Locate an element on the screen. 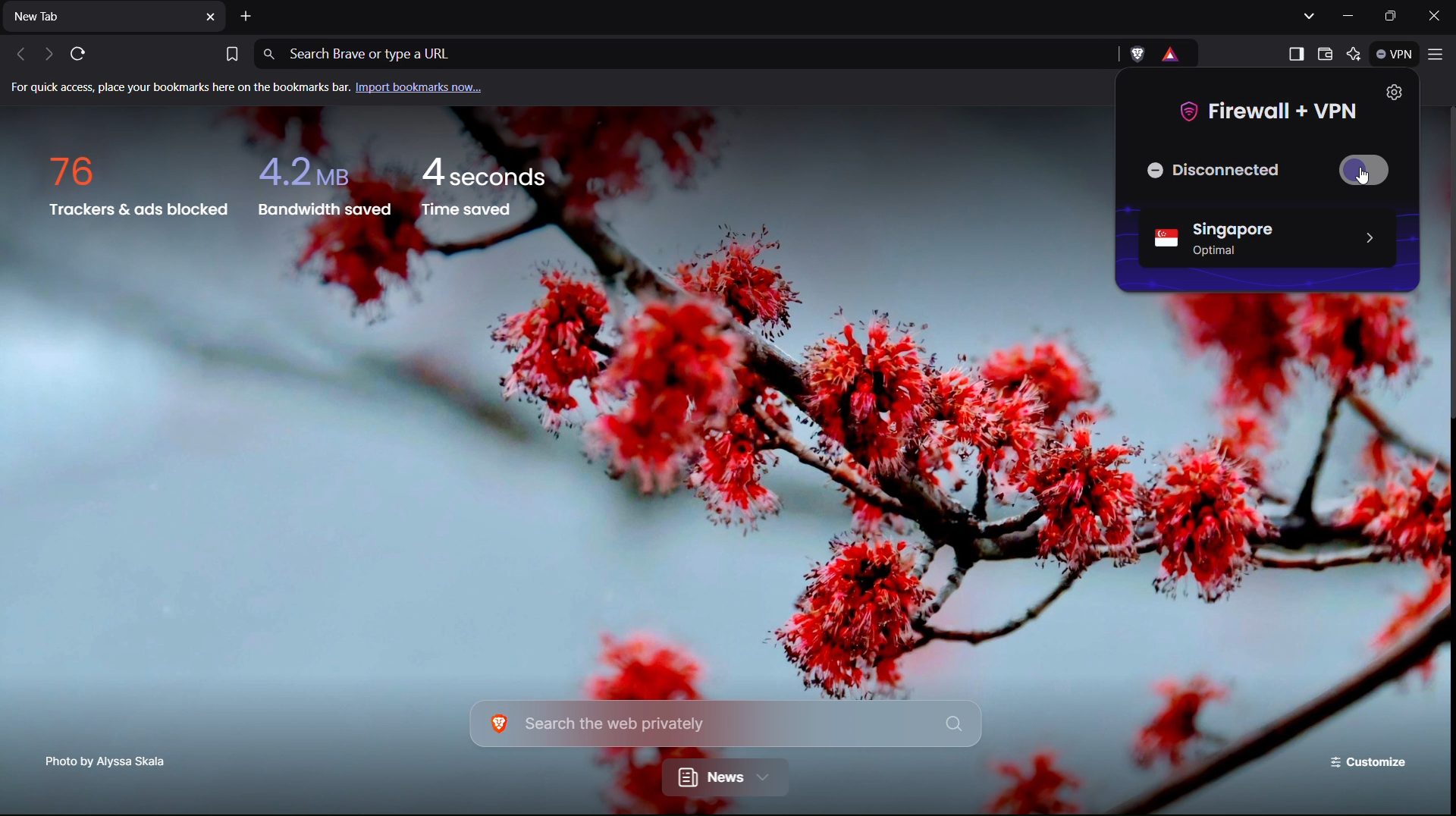 This screenshot has width=1456, height=816. Application Menu is located at coordinates (1437, 57).